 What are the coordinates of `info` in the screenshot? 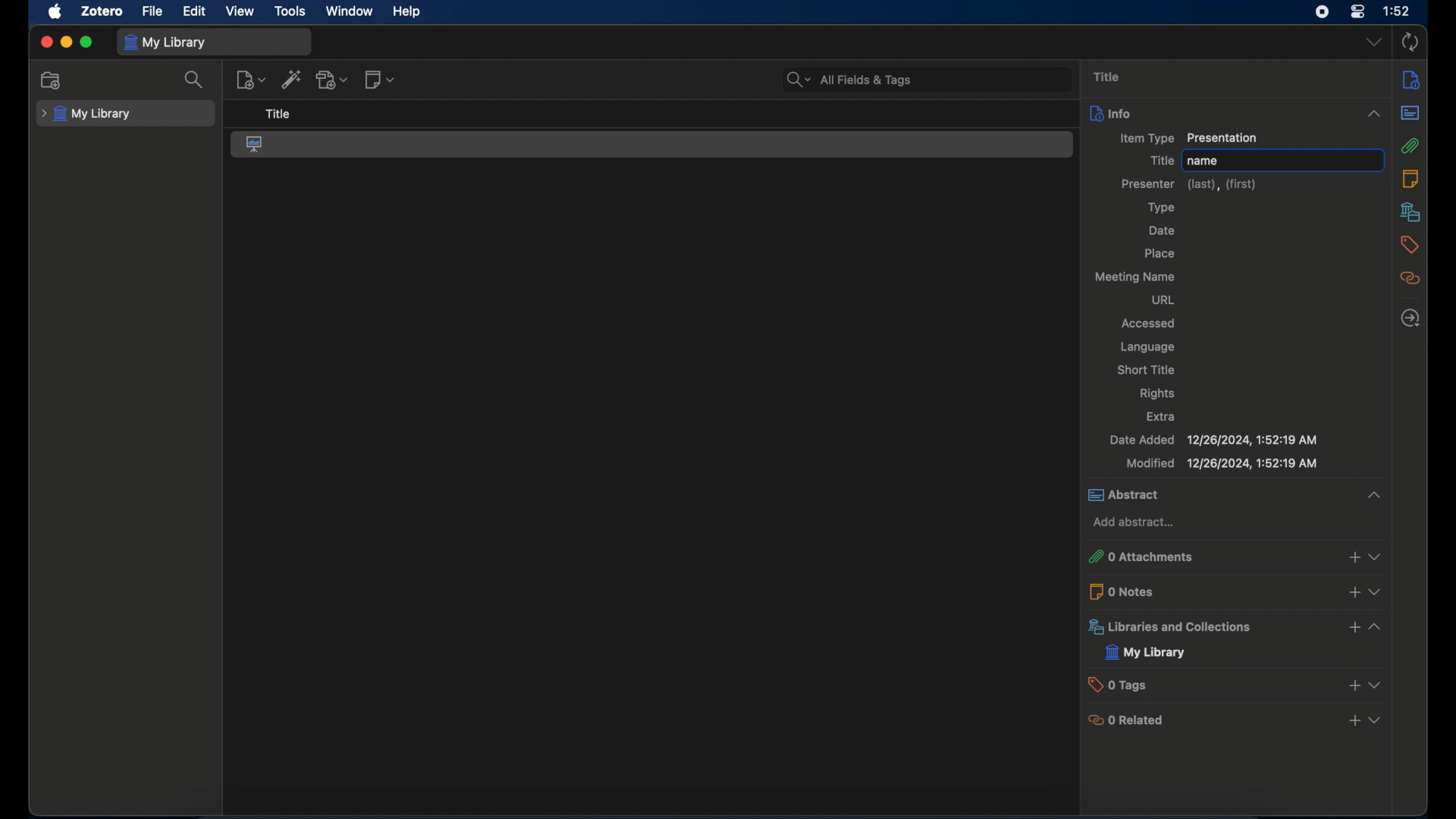 It's located at (1412, 80).